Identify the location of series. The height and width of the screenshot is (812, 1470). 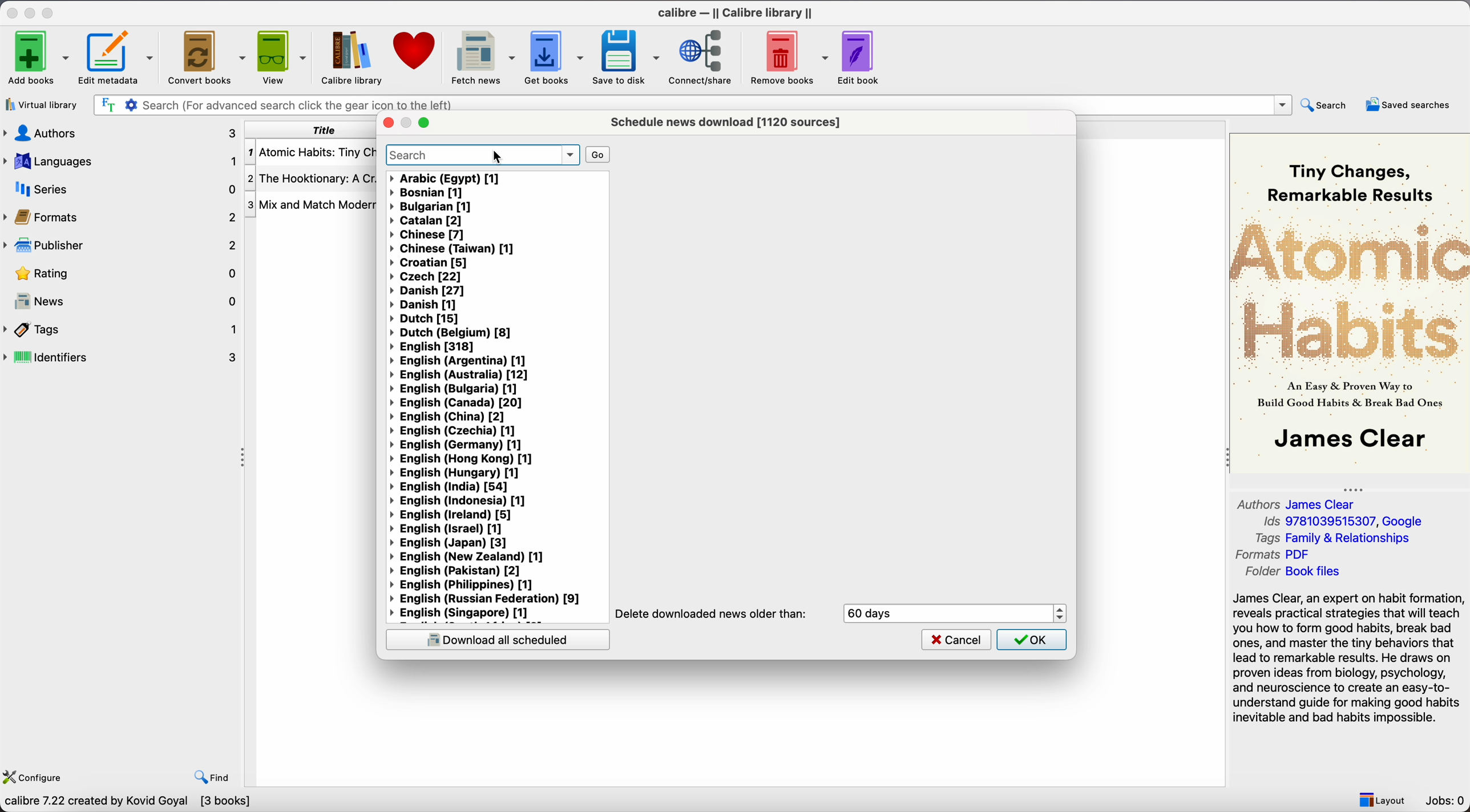
(122, 188).